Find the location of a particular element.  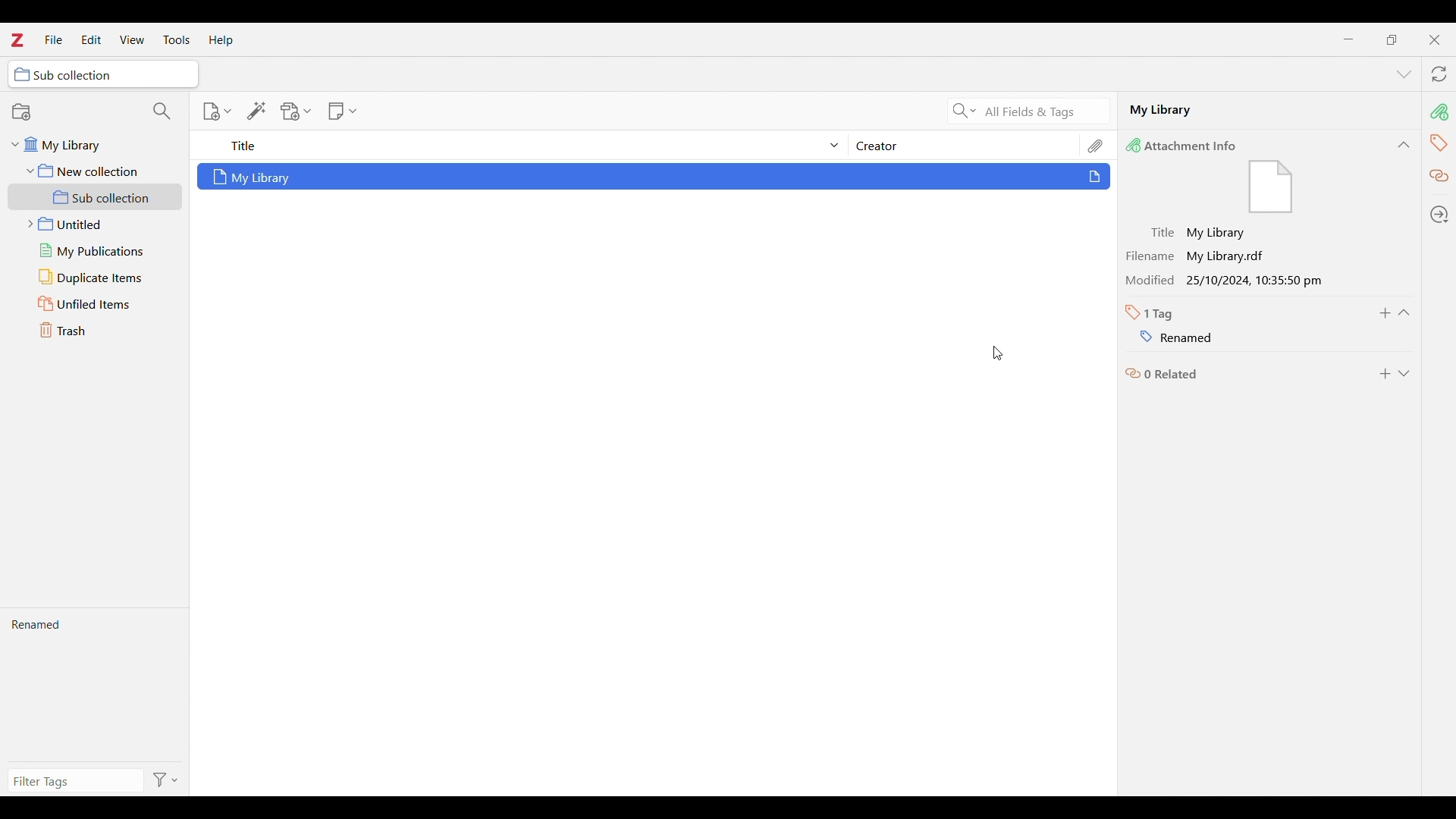

New collection folder is located at coordinates (96, 171).